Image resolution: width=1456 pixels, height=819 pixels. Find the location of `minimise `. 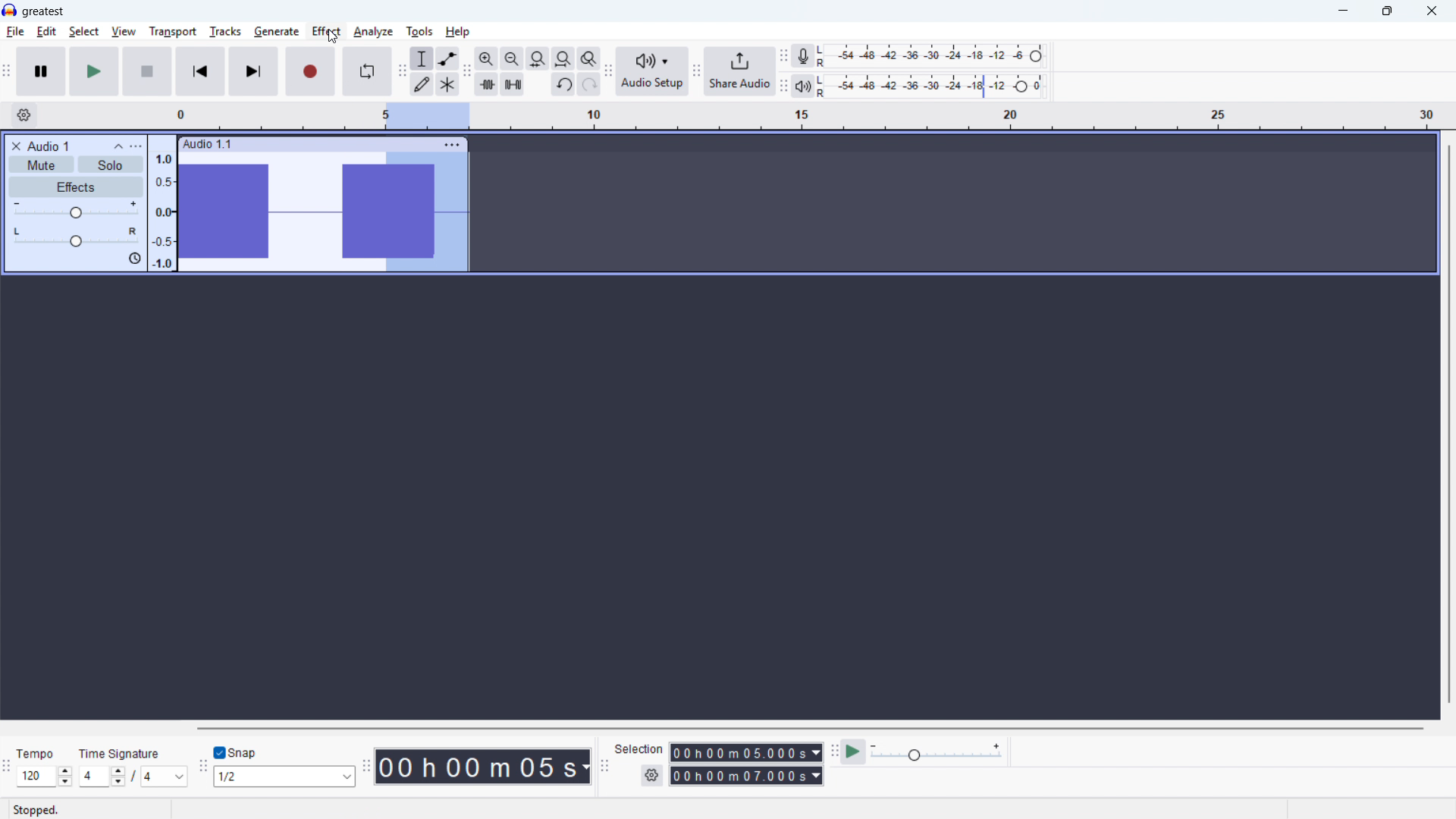

minimise  is located at coordinates (1345, 11).